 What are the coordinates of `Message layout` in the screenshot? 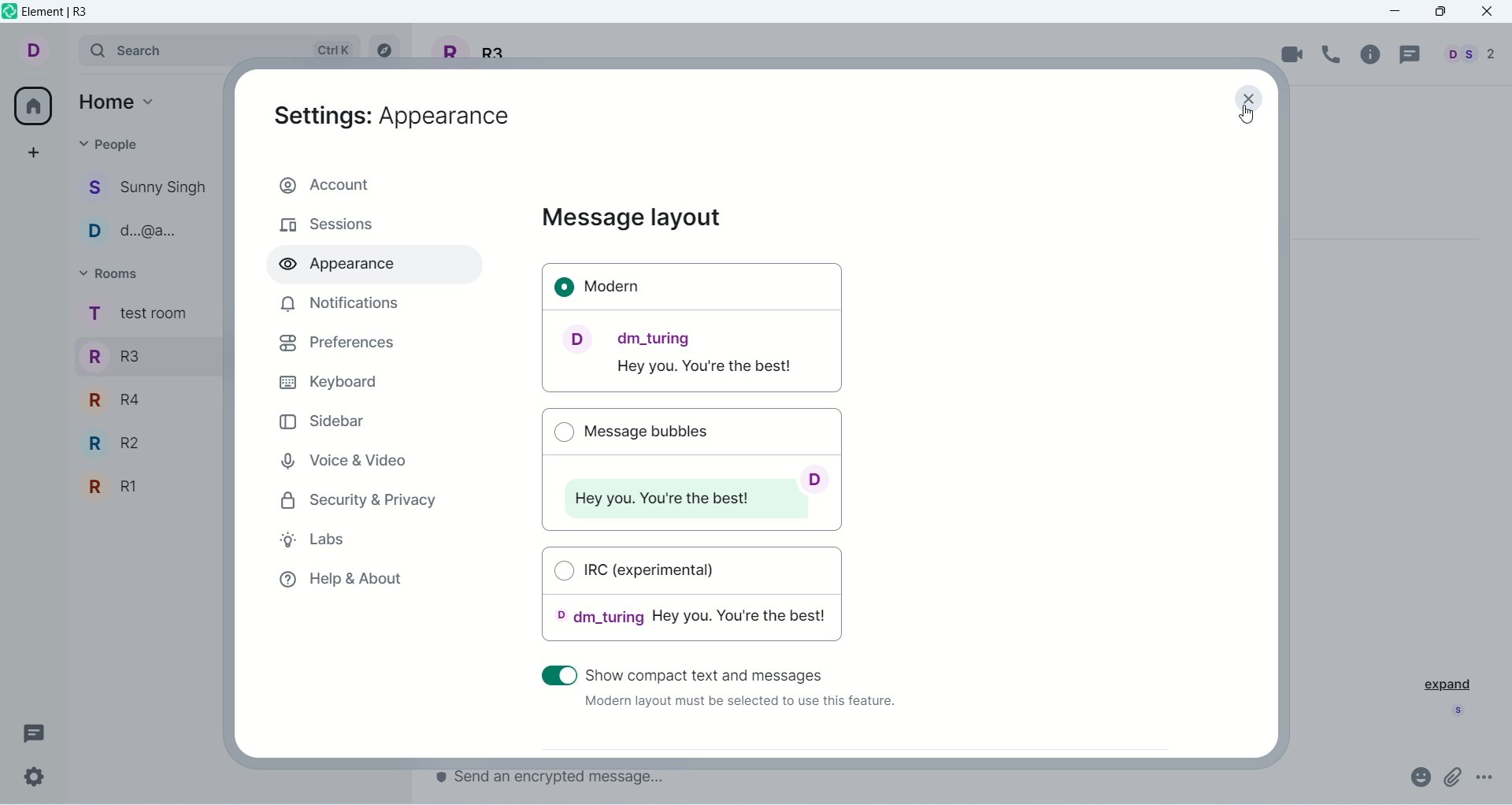 It's located at (632, 218).